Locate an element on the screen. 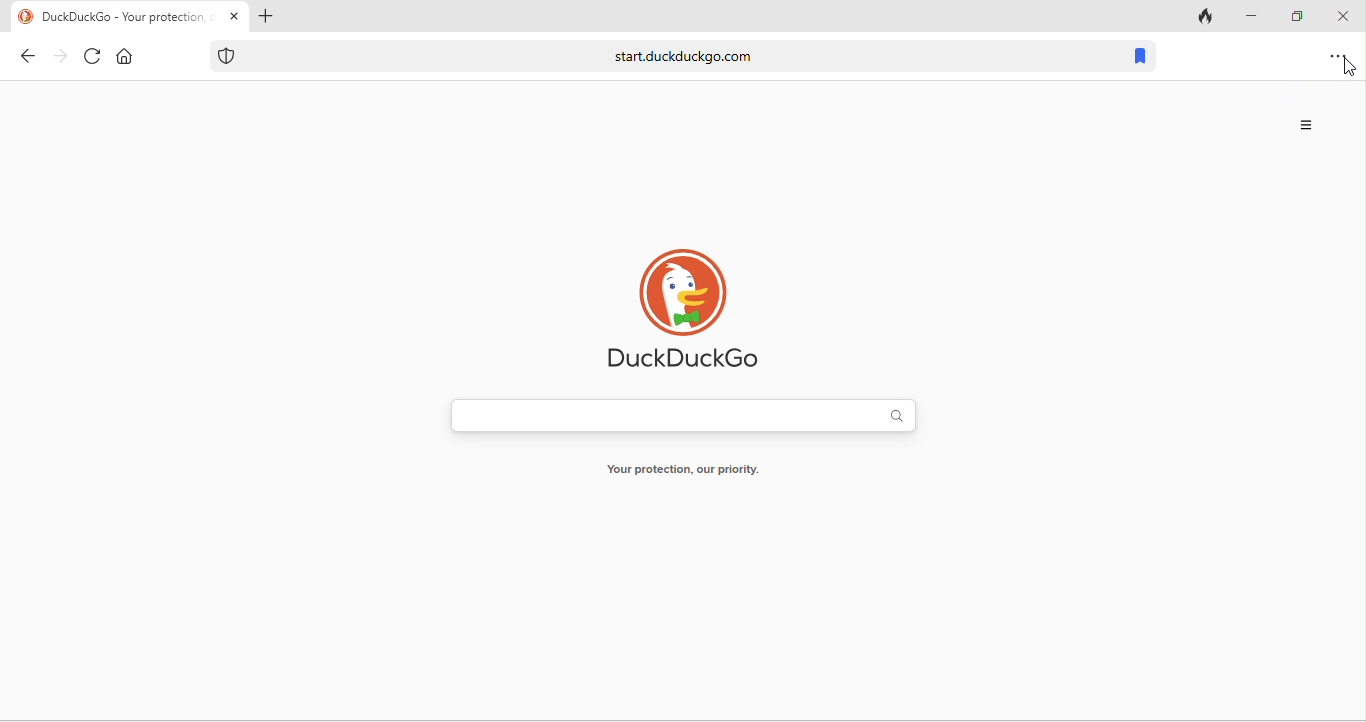  close is located at coordinates (1346, 16).